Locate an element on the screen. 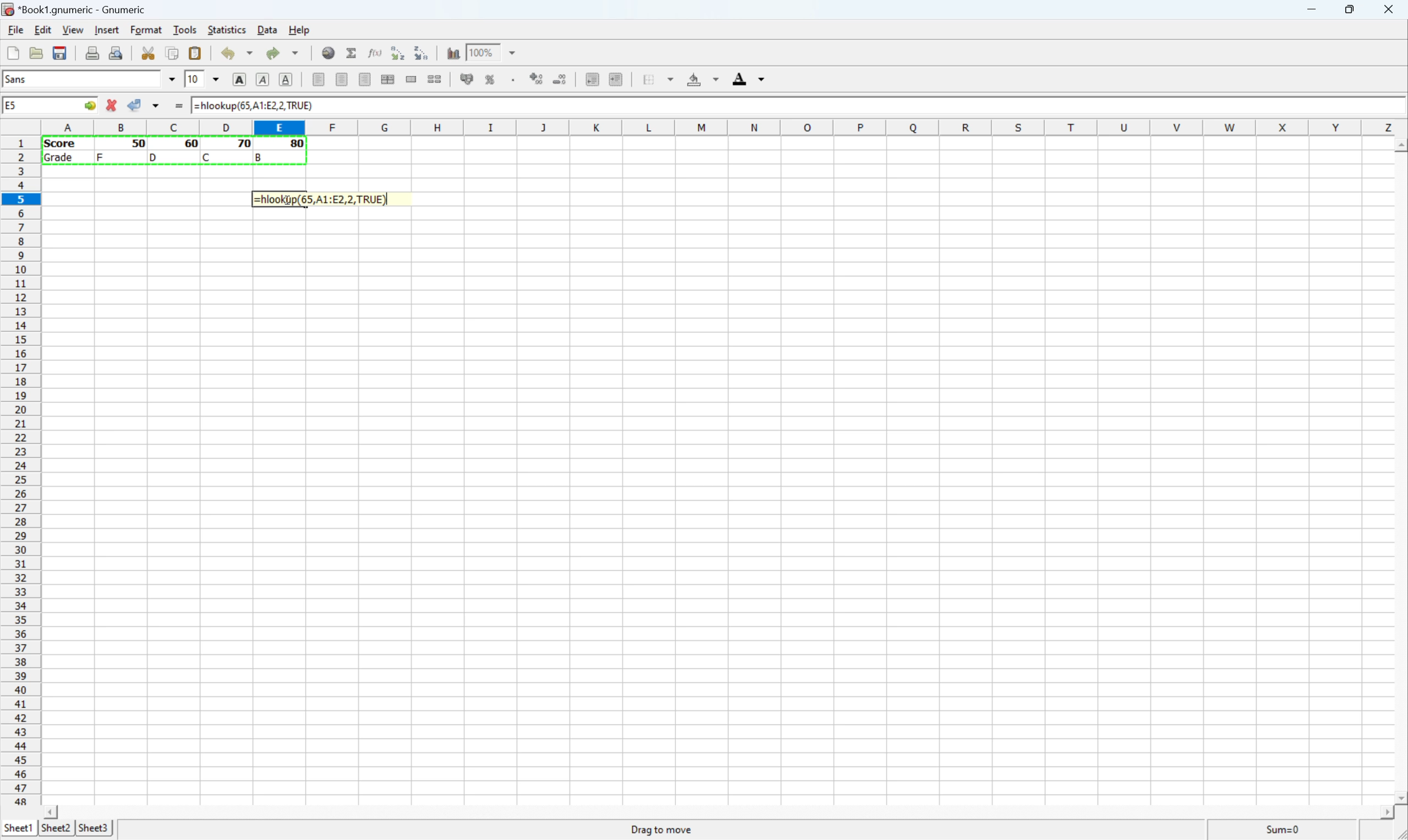 The image size is (1408, 840). Scroll Right is located at coordinates (1382, 812).